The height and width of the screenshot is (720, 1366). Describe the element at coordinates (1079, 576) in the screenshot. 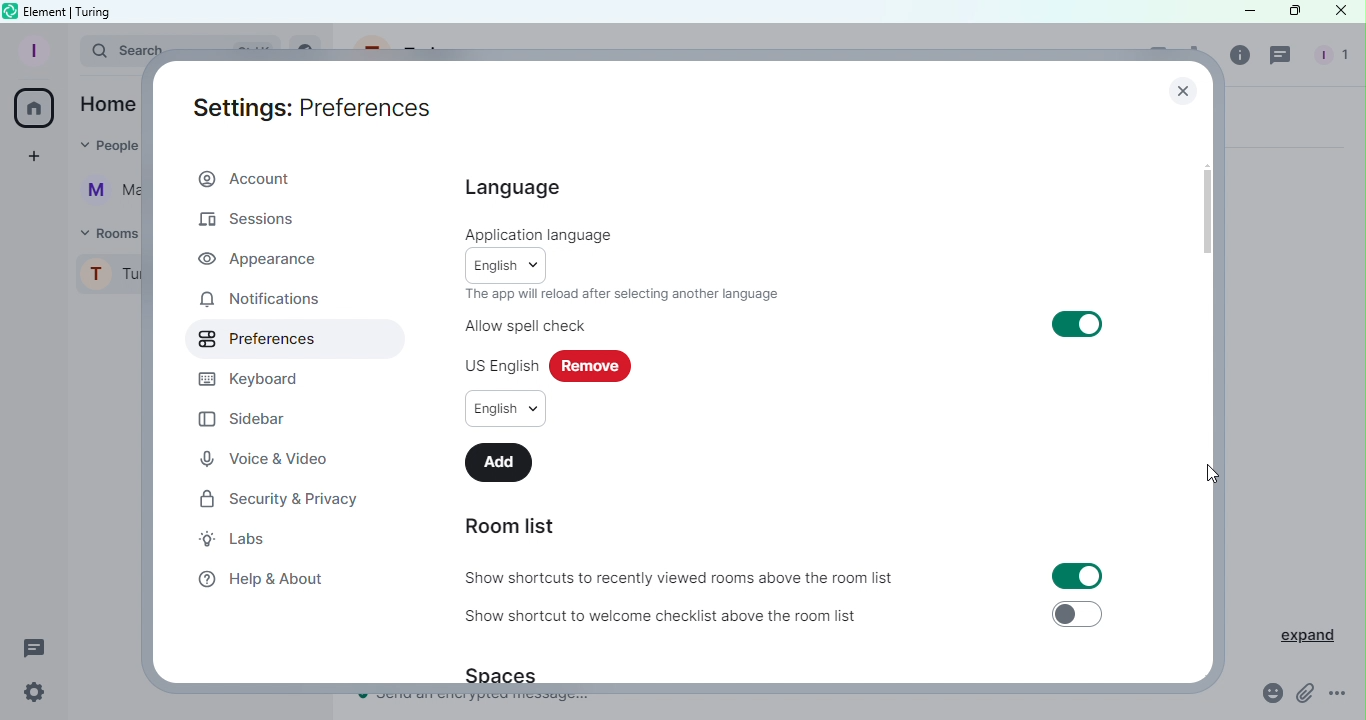

I see `Toggle` at that location.